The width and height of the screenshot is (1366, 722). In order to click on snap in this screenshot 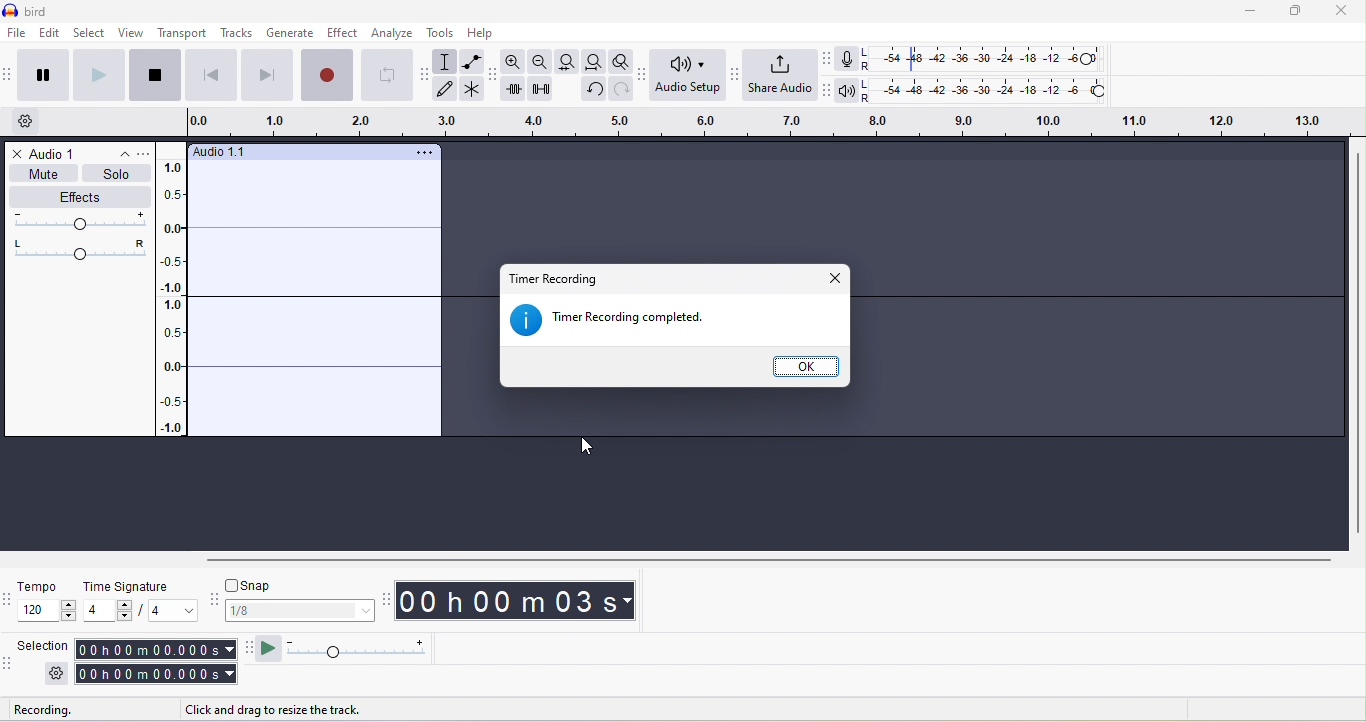, I will do `click(298, 587)`.